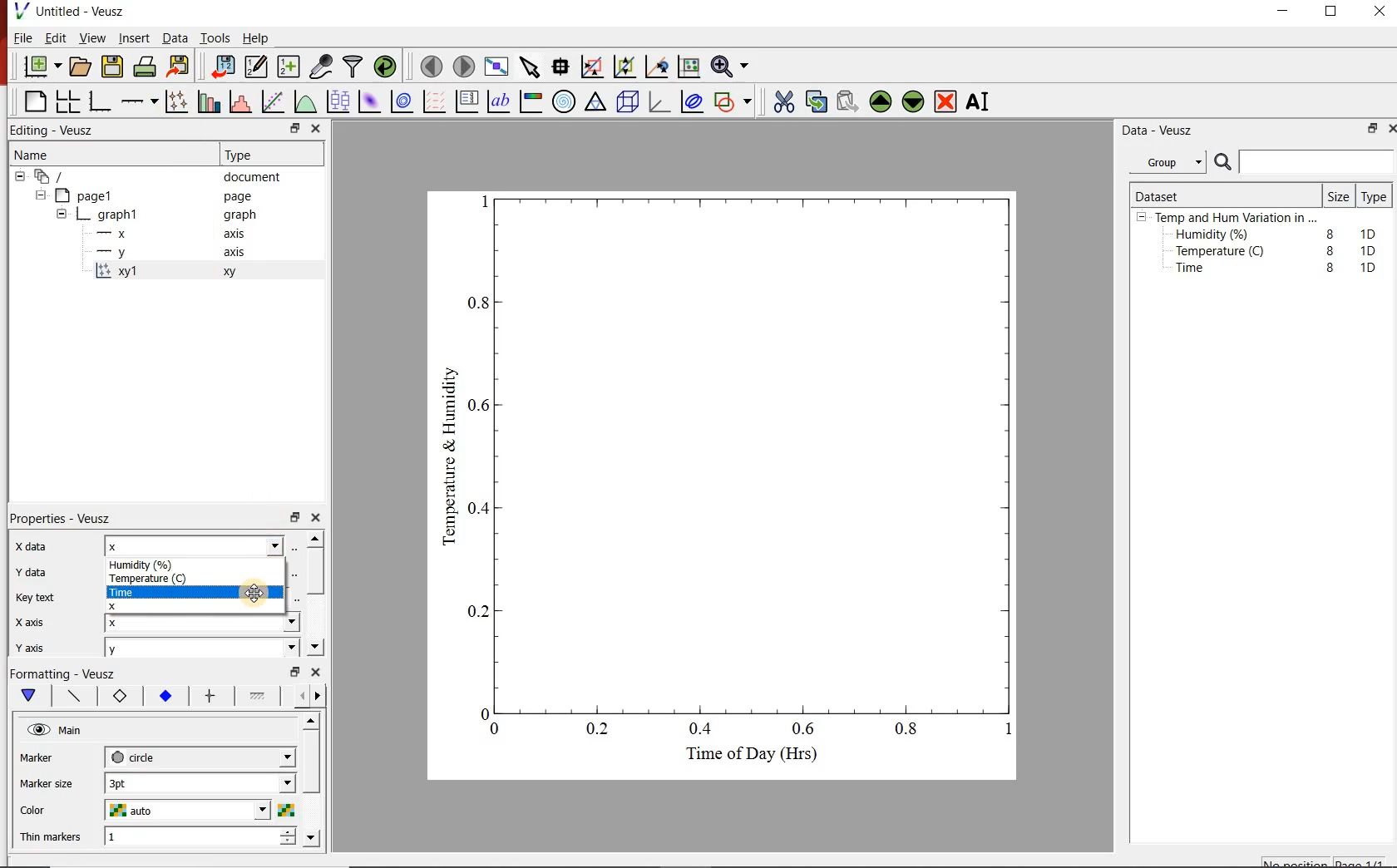 Image resolution: width=1397 pixels, height=868 pixels. Describe the element at coordinates (804, 728) in the screenshot. I see `0.6` at that location.